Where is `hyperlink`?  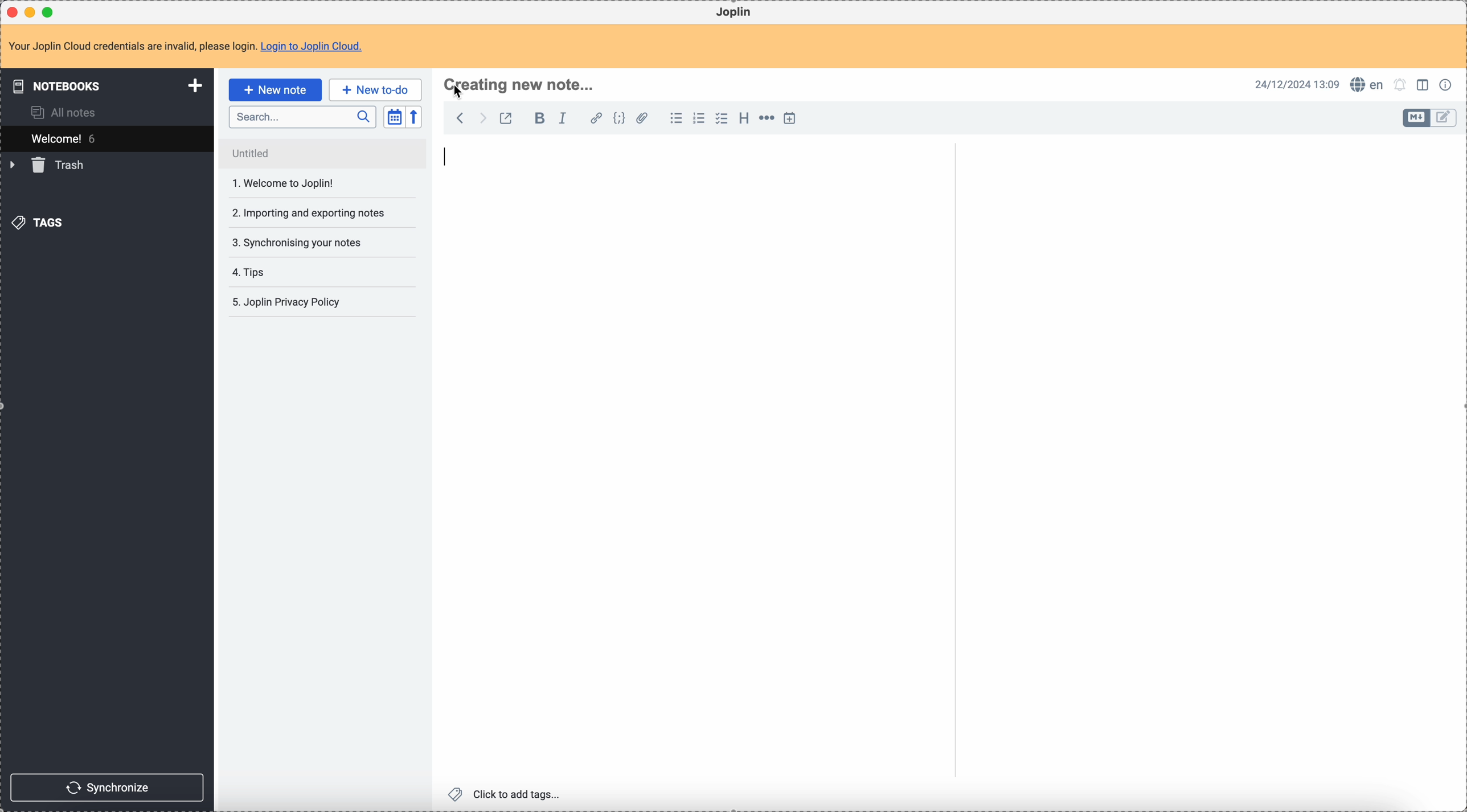 hyperlink is located at coordinates (594, 119).